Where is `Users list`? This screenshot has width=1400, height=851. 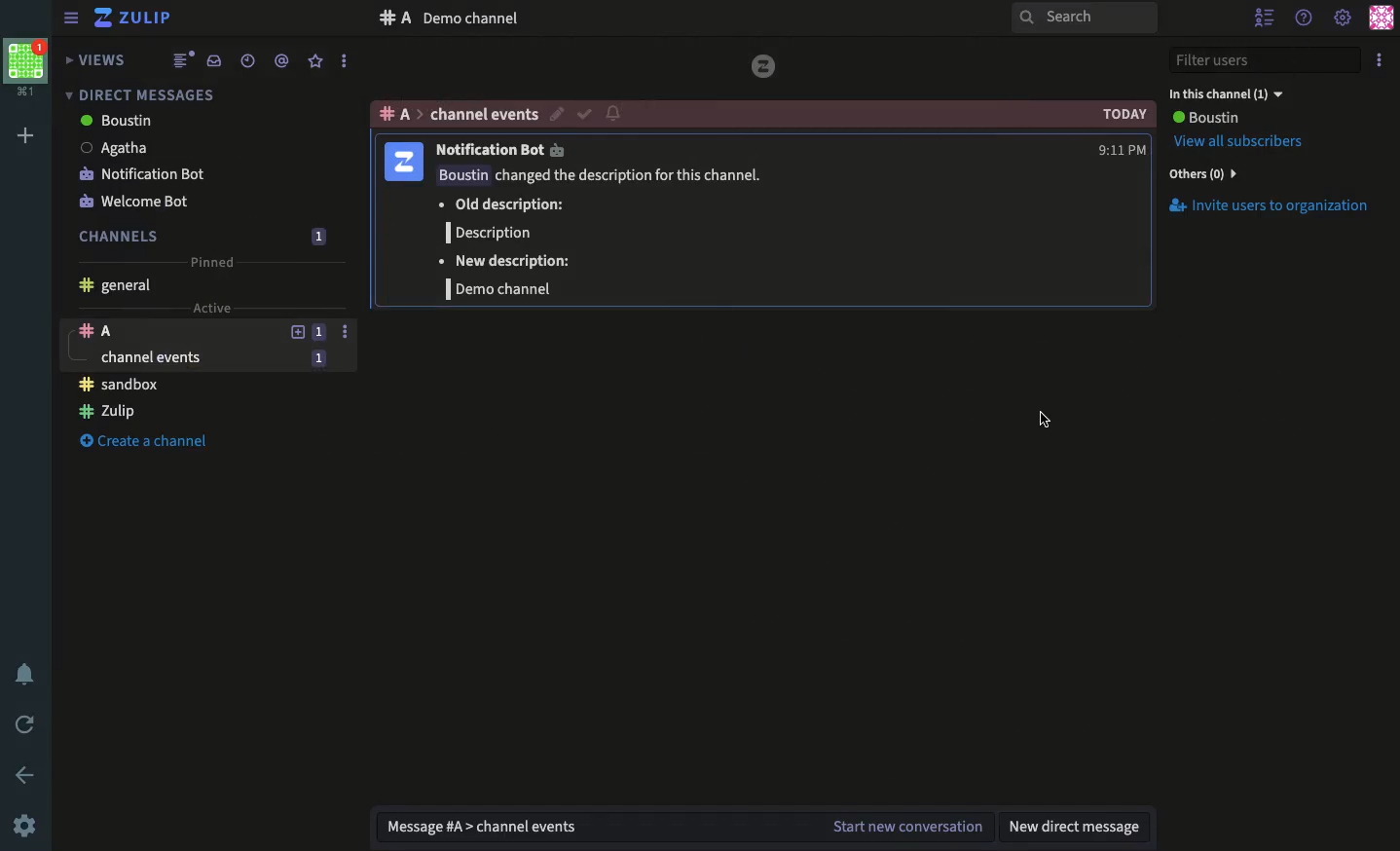
Users list is located at coordinates (1267, 18).